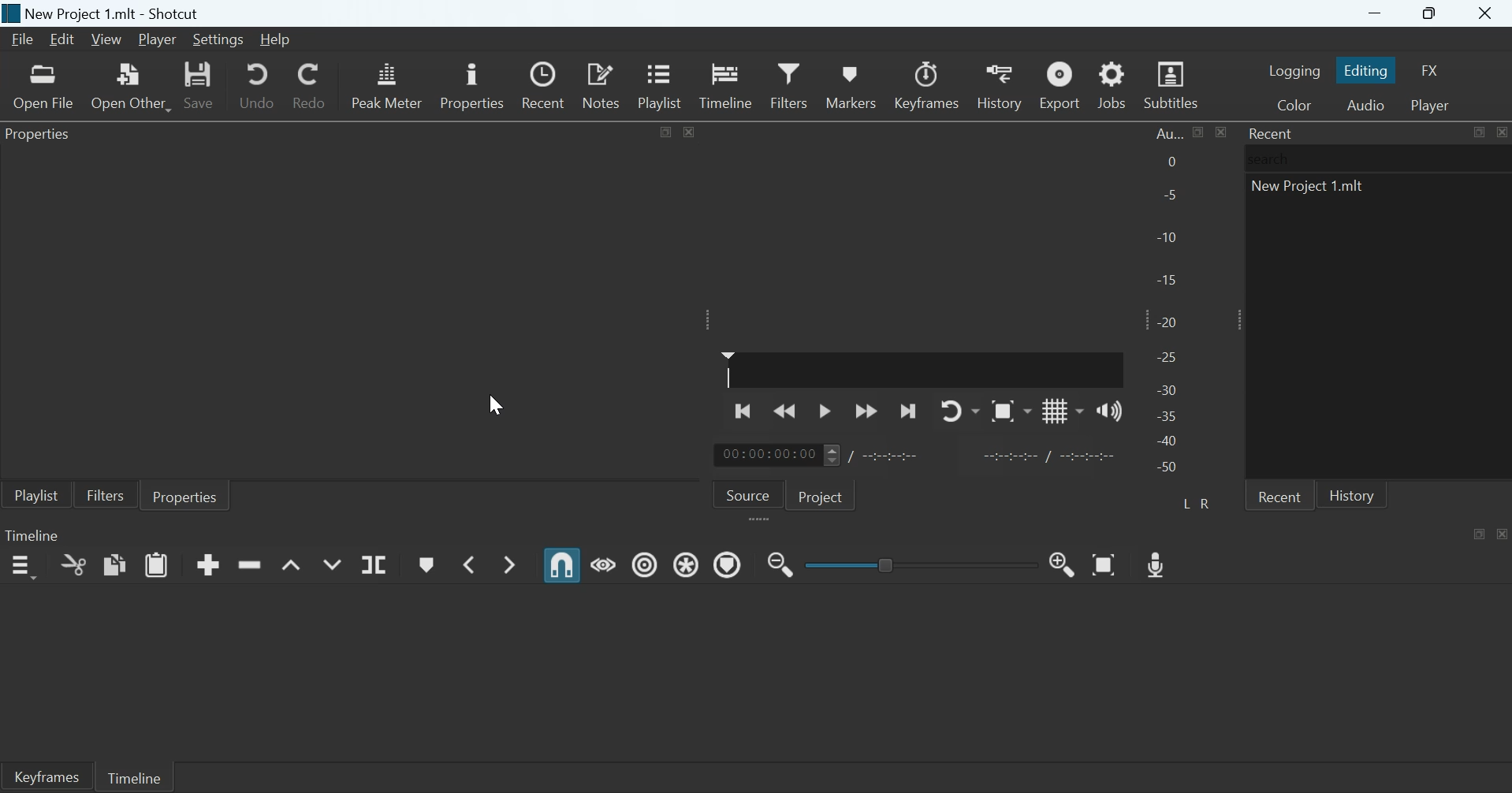  What do you see at coordinates (22, 567) in the screenshot?
I see `Timeline menu` at bounding box center [22, 567].